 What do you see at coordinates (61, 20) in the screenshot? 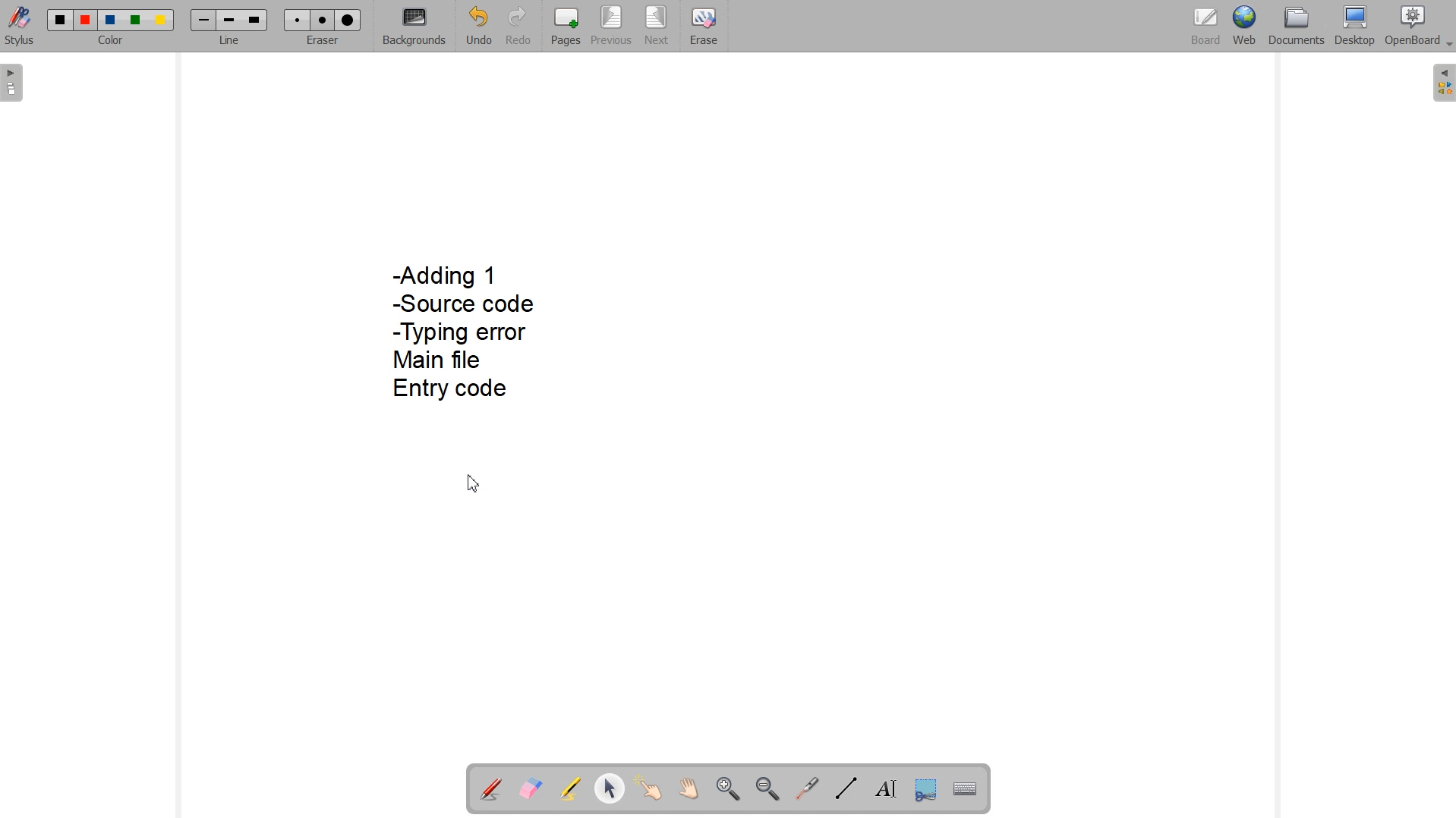
I see `Color 1` at bounding box center [61, 20].